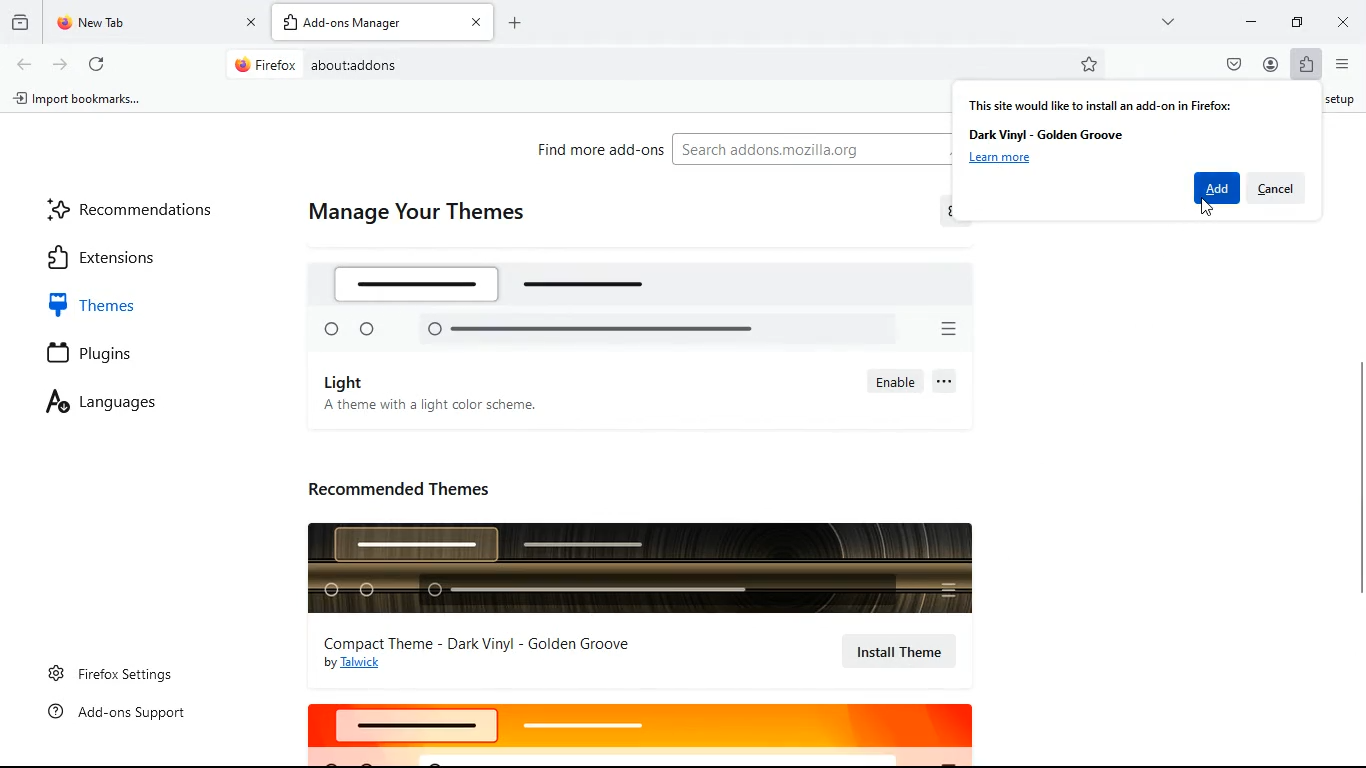 This screenshot has height=768, width=1366. I want to click on find more add-ons, so click(593, 149).